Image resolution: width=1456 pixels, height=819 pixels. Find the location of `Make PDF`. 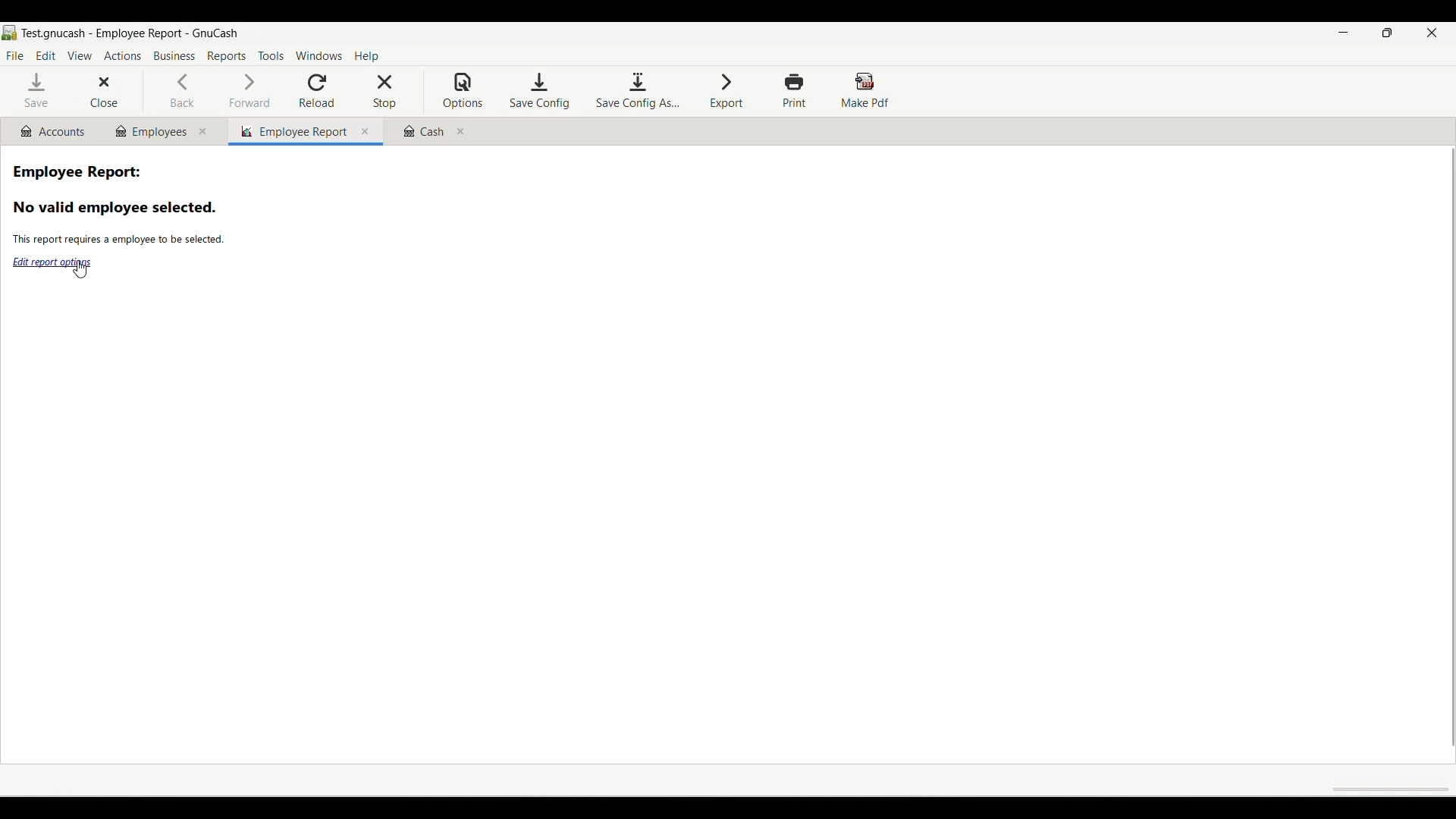

Make PDF is located at coordinates (864, 90).